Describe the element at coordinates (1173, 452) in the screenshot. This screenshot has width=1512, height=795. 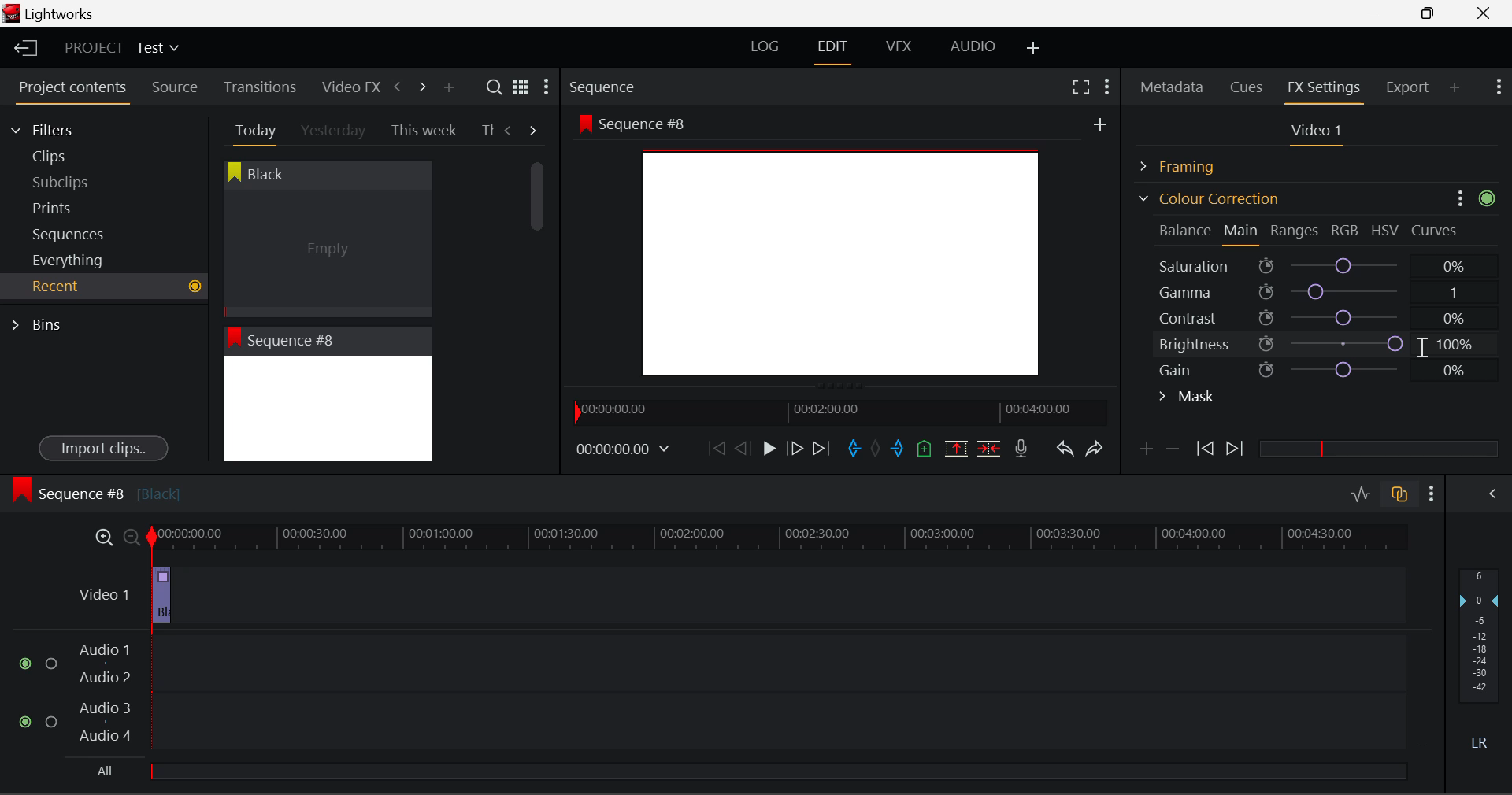
I see `Delete keyframe` at that location.